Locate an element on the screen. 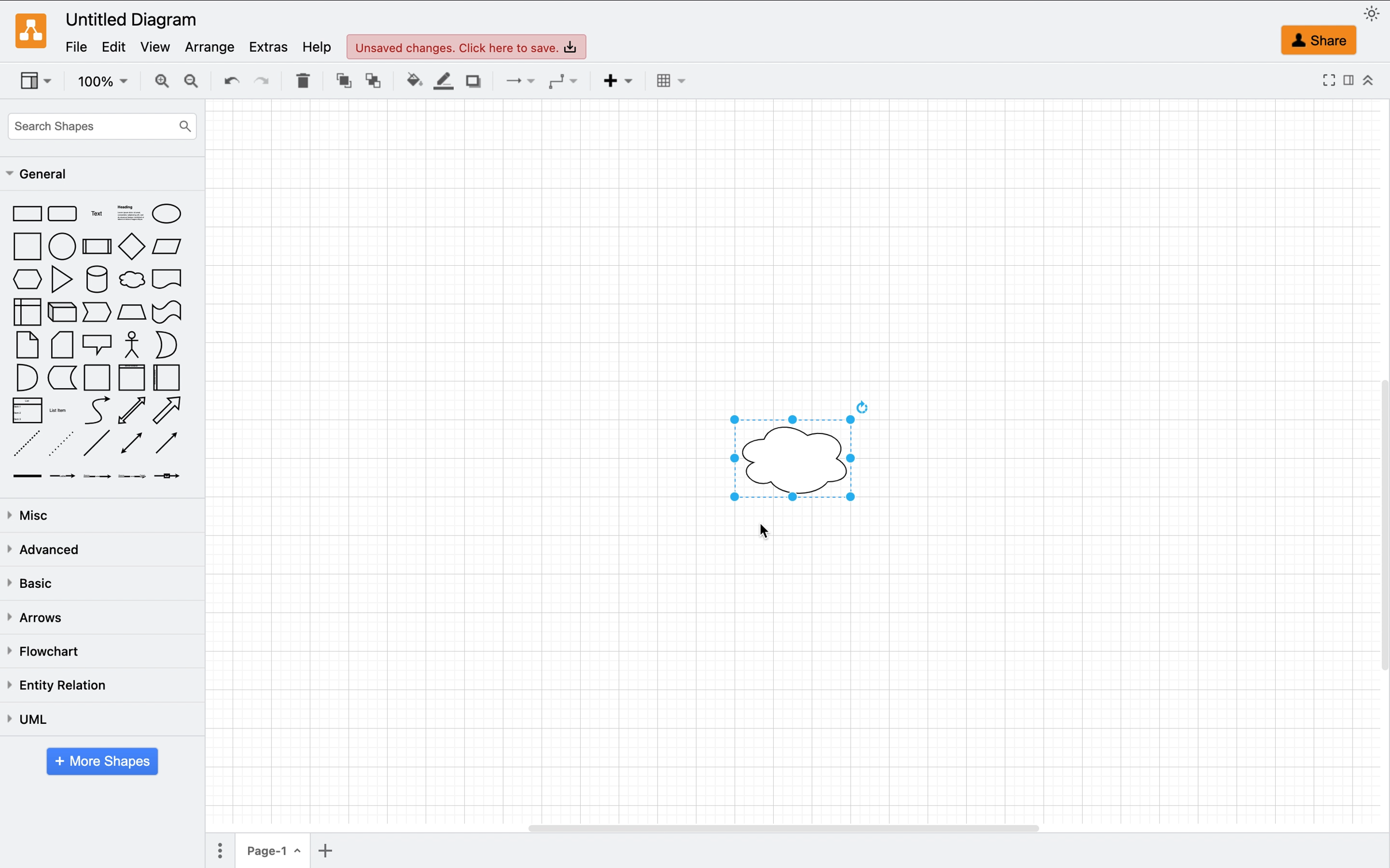 This screenshot has width=1390, height=868. view is located at coordinates (40, 80).